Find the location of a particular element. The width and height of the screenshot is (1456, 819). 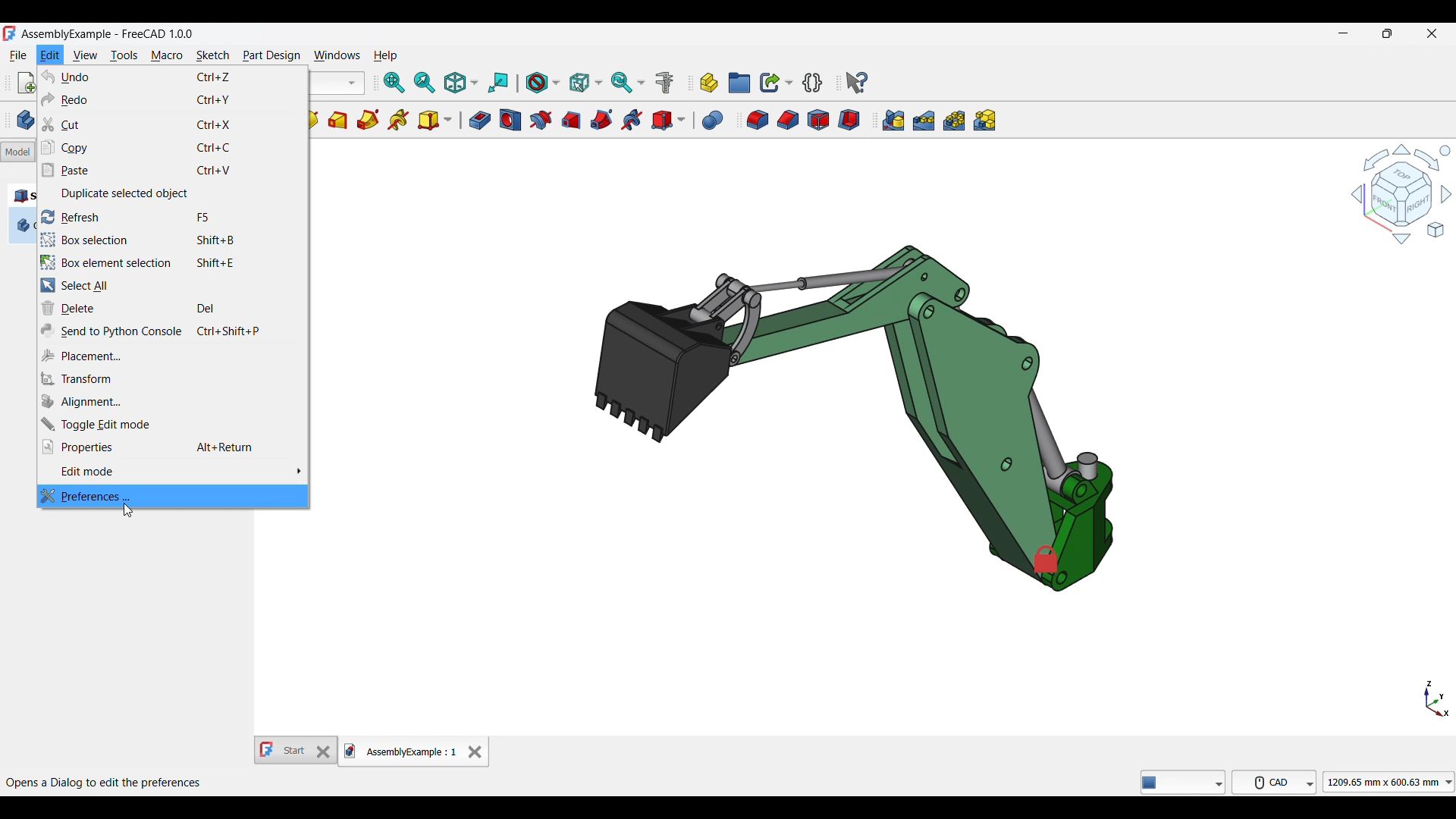

Button is located at coordinates (1184, 782).